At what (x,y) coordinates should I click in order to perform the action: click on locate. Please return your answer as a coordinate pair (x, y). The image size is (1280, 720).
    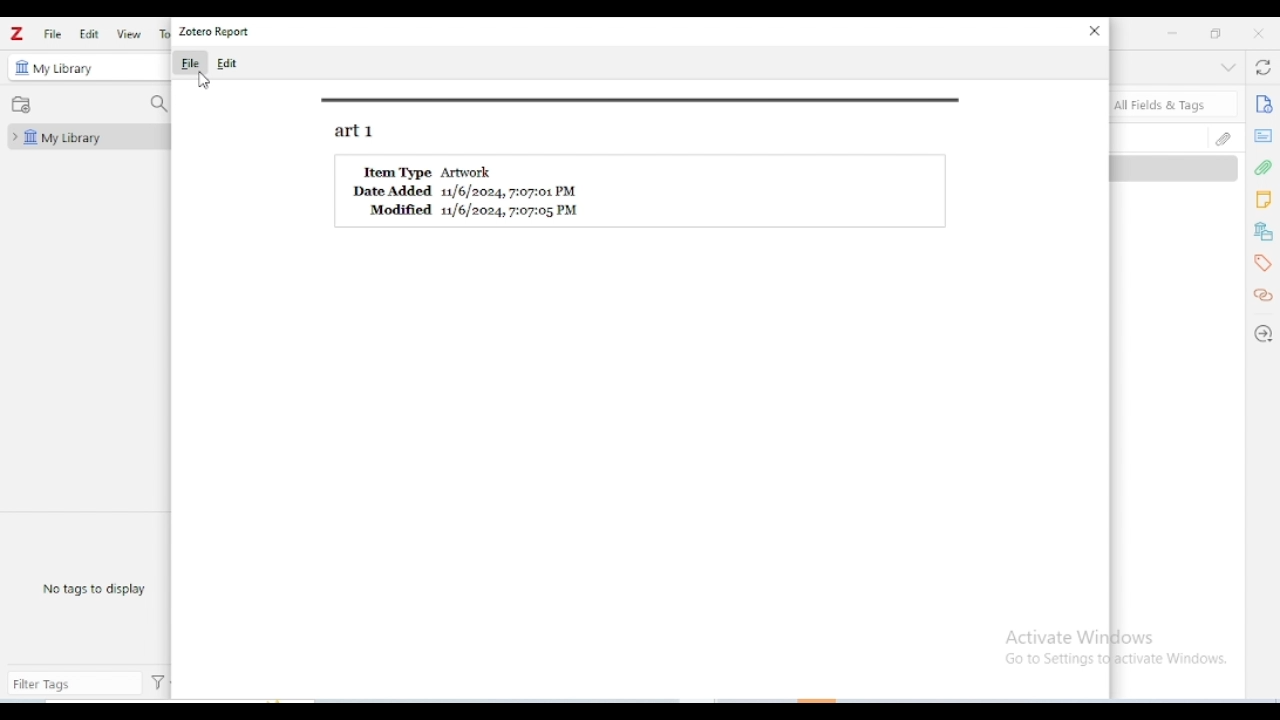
    Looking at the image, I should click on (1262, 336).